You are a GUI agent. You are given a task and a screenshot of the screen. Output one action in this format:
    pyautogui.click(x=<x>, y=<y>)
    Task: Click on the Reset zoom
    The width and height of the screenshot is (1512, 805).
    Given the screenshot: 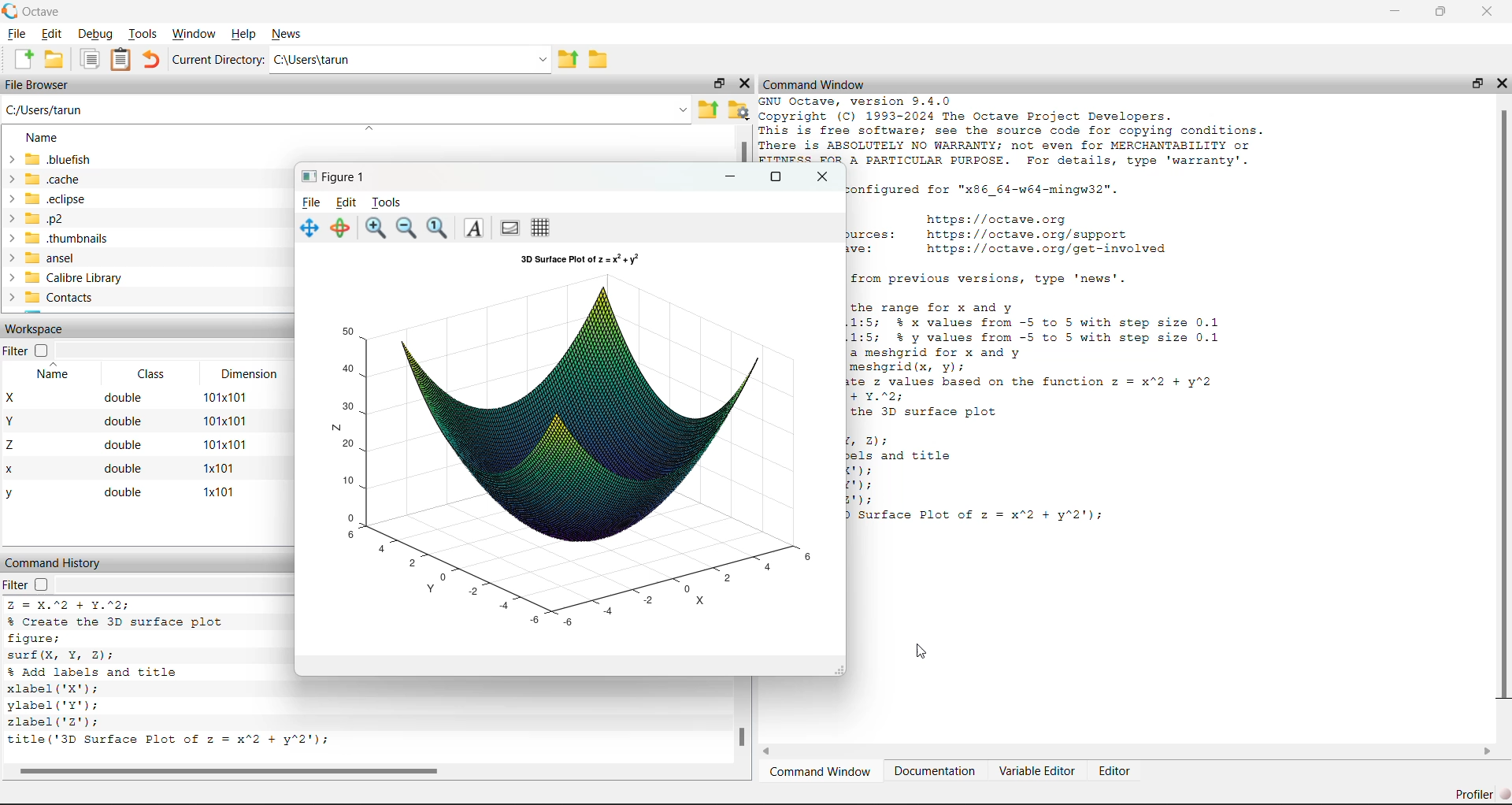 What is the action you would take?
    pyautogui.click(x=437, y=228)
    